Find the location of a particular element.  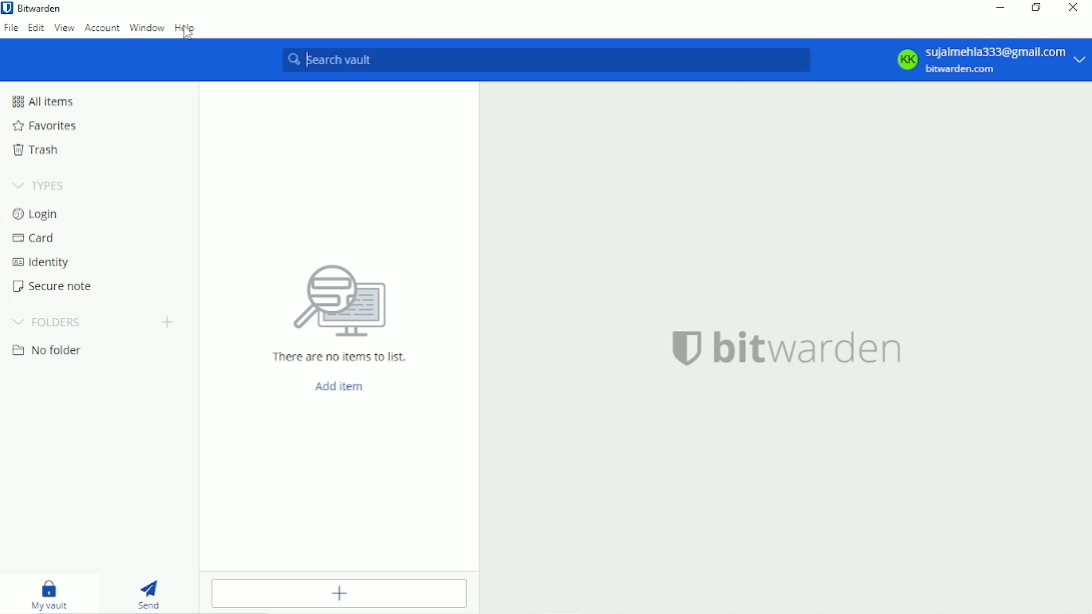

Help is located at coordinates (186, 28).